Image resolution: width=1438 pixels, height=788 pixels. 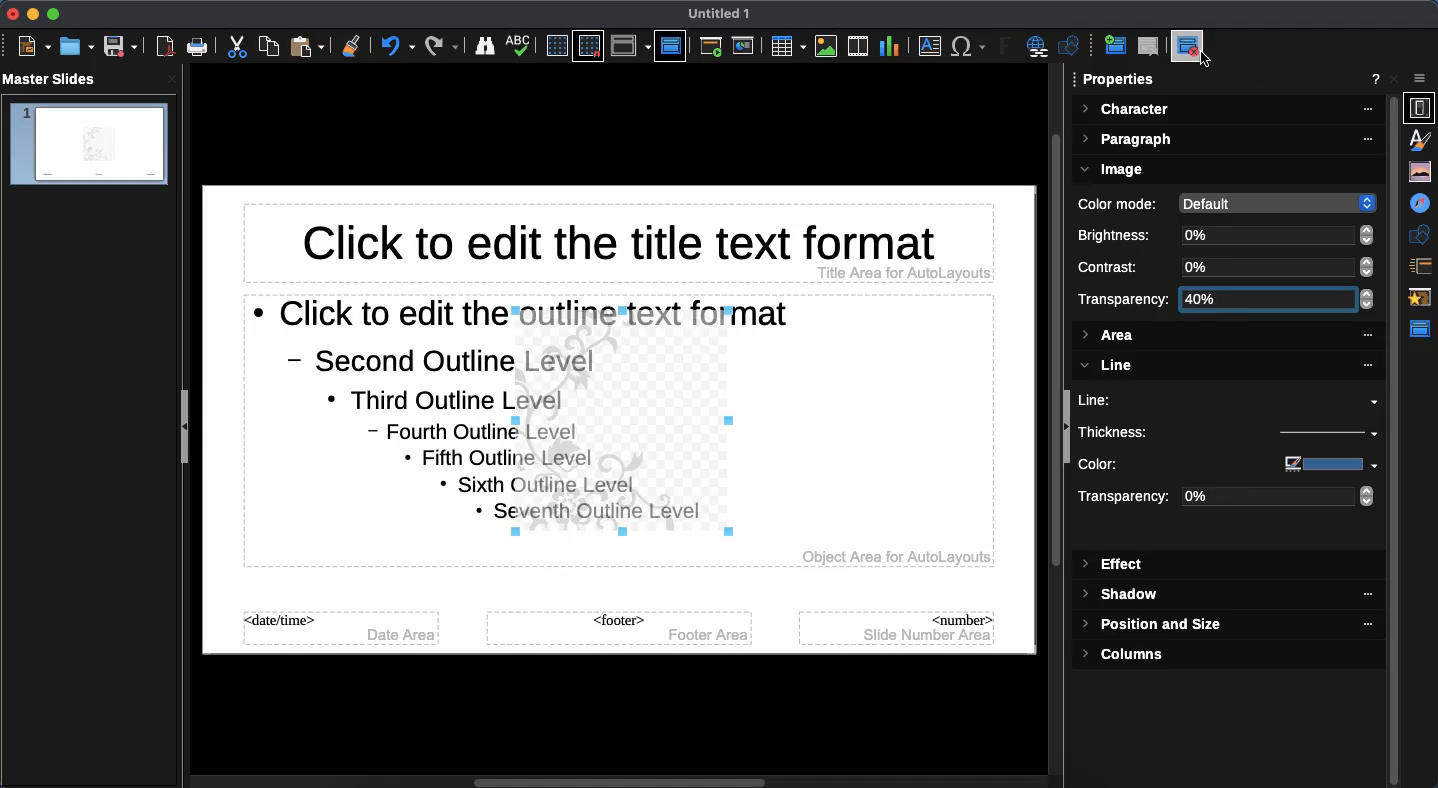 What do you see at coordinates (1422, 171) in the screenshot?
I see `Gallery` at bounding box center [1422, 171].